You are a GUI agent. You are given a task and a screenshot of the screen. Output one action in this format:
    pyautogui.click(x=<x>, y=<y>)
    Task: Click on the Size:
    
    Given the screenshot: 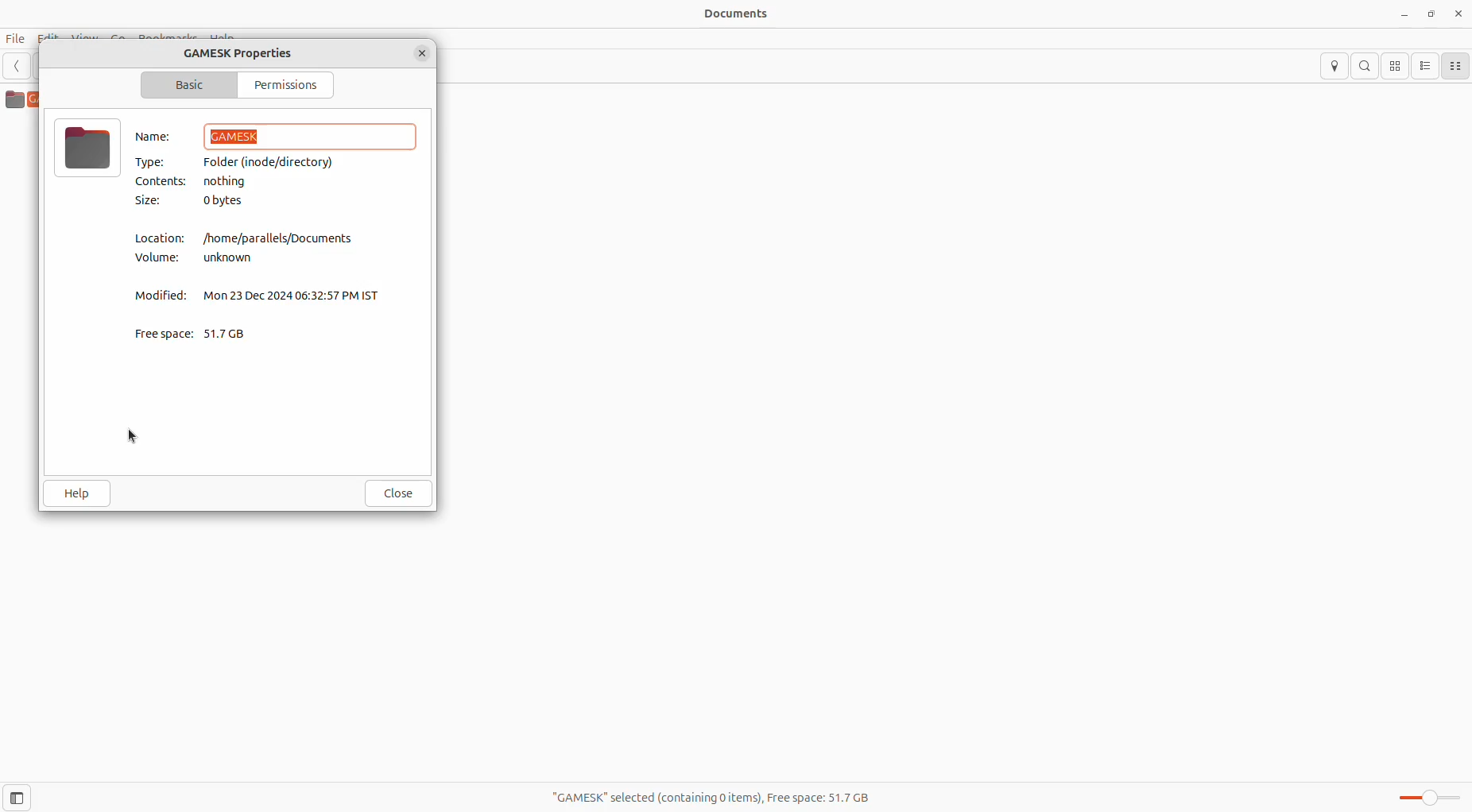 What is the action you would take?
    pyautogui.click(x=150, y=200)
    